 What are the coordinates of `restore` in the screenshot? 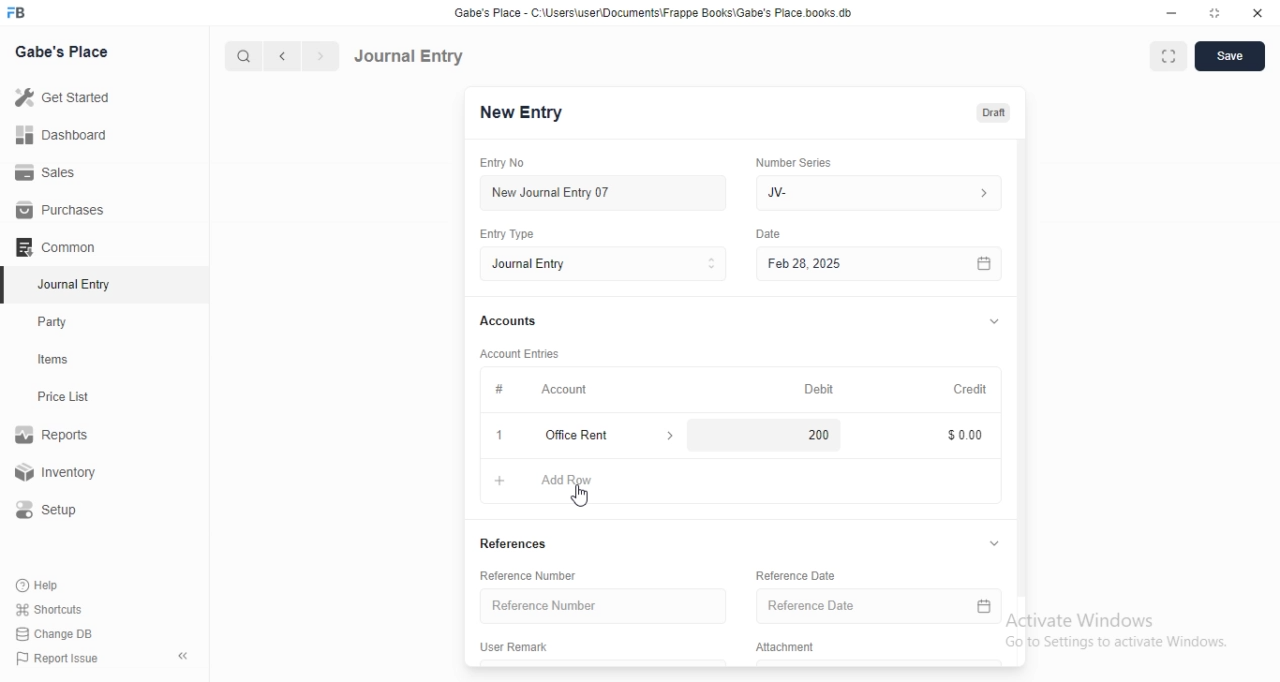 It's located at (1213, 12).